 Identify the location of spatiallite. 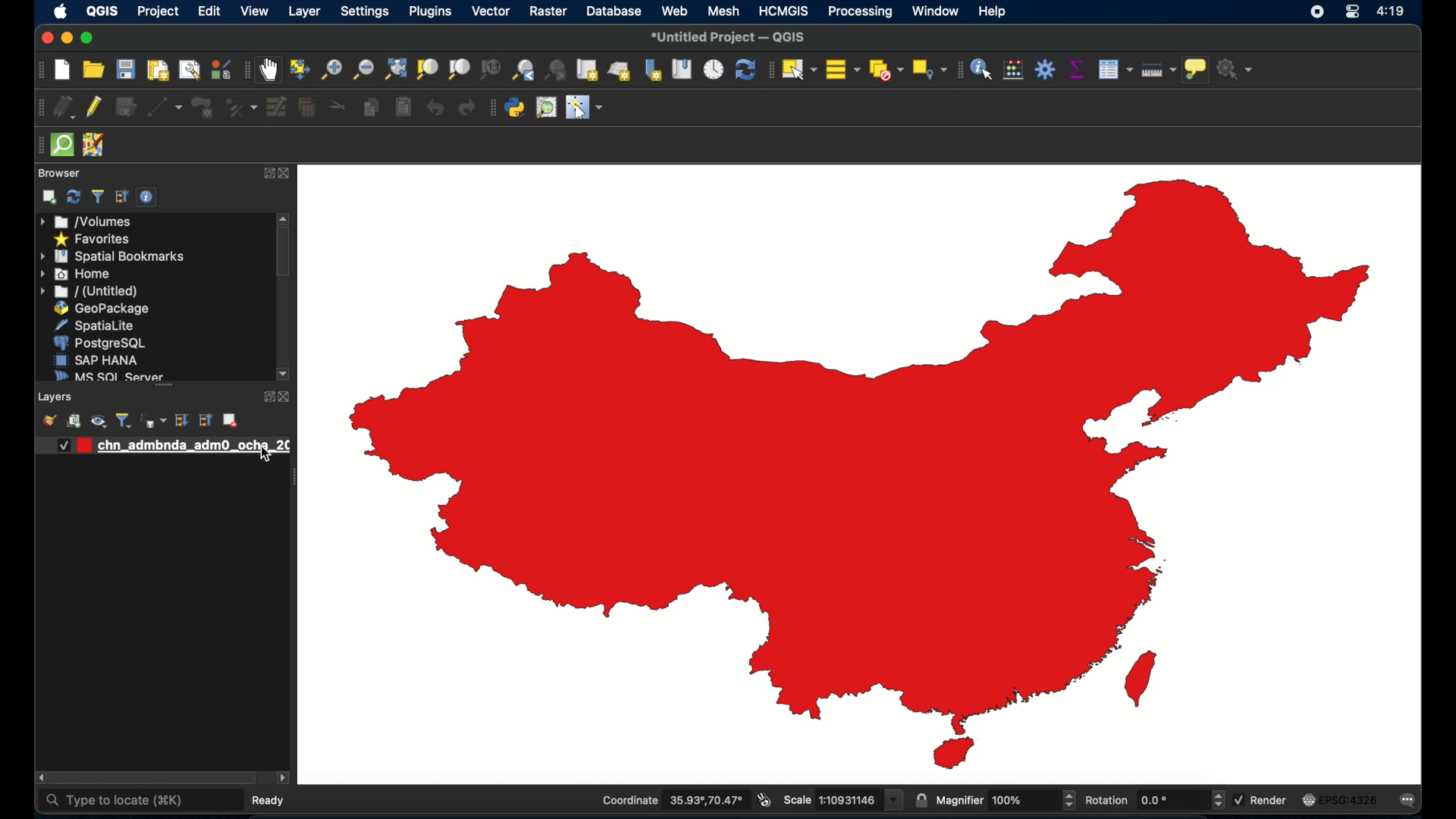
(99, 325).